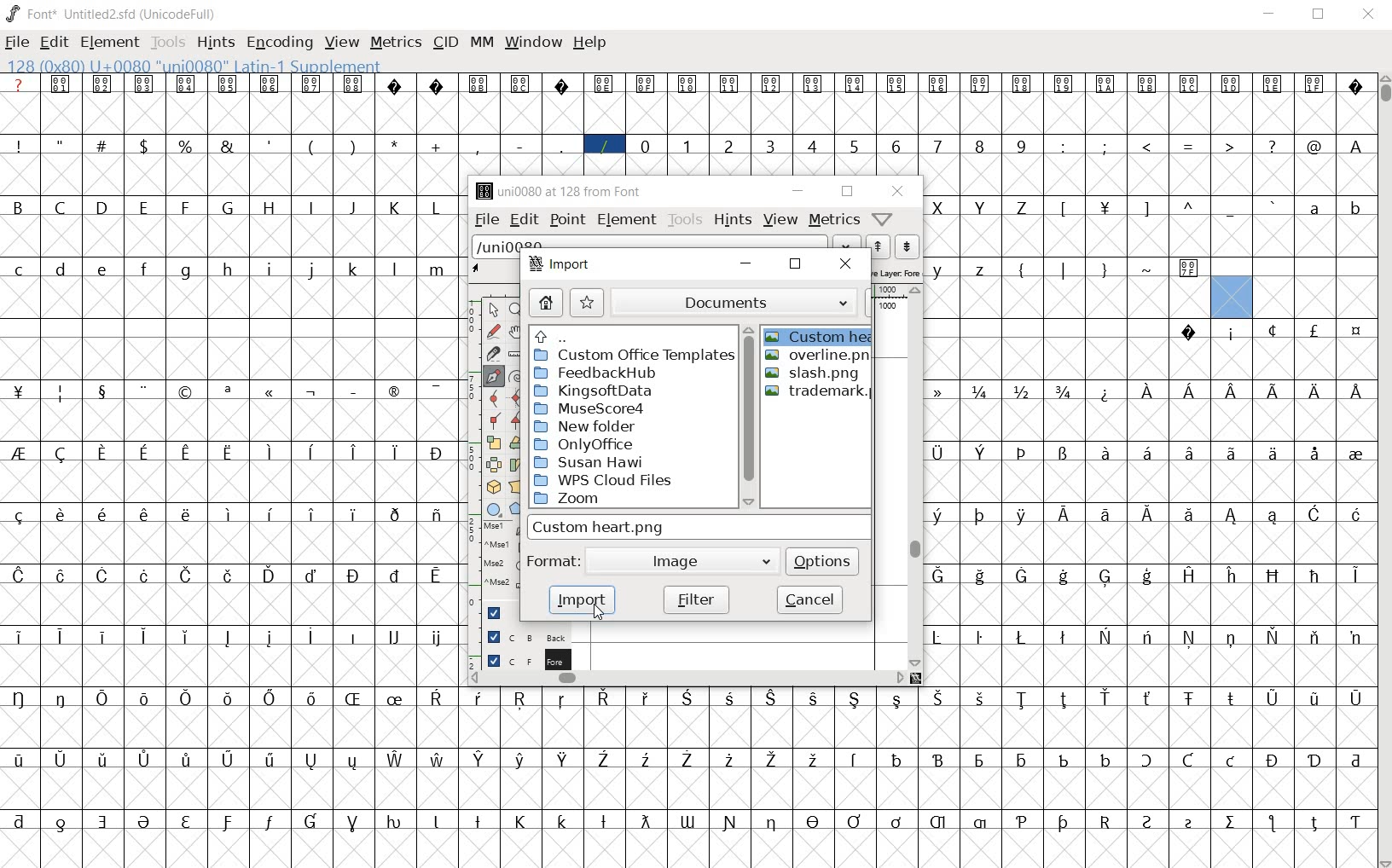 Image resolution: width=1392 pixels, height=868 pixels. I want to click on glyph, so click(1317, 392).